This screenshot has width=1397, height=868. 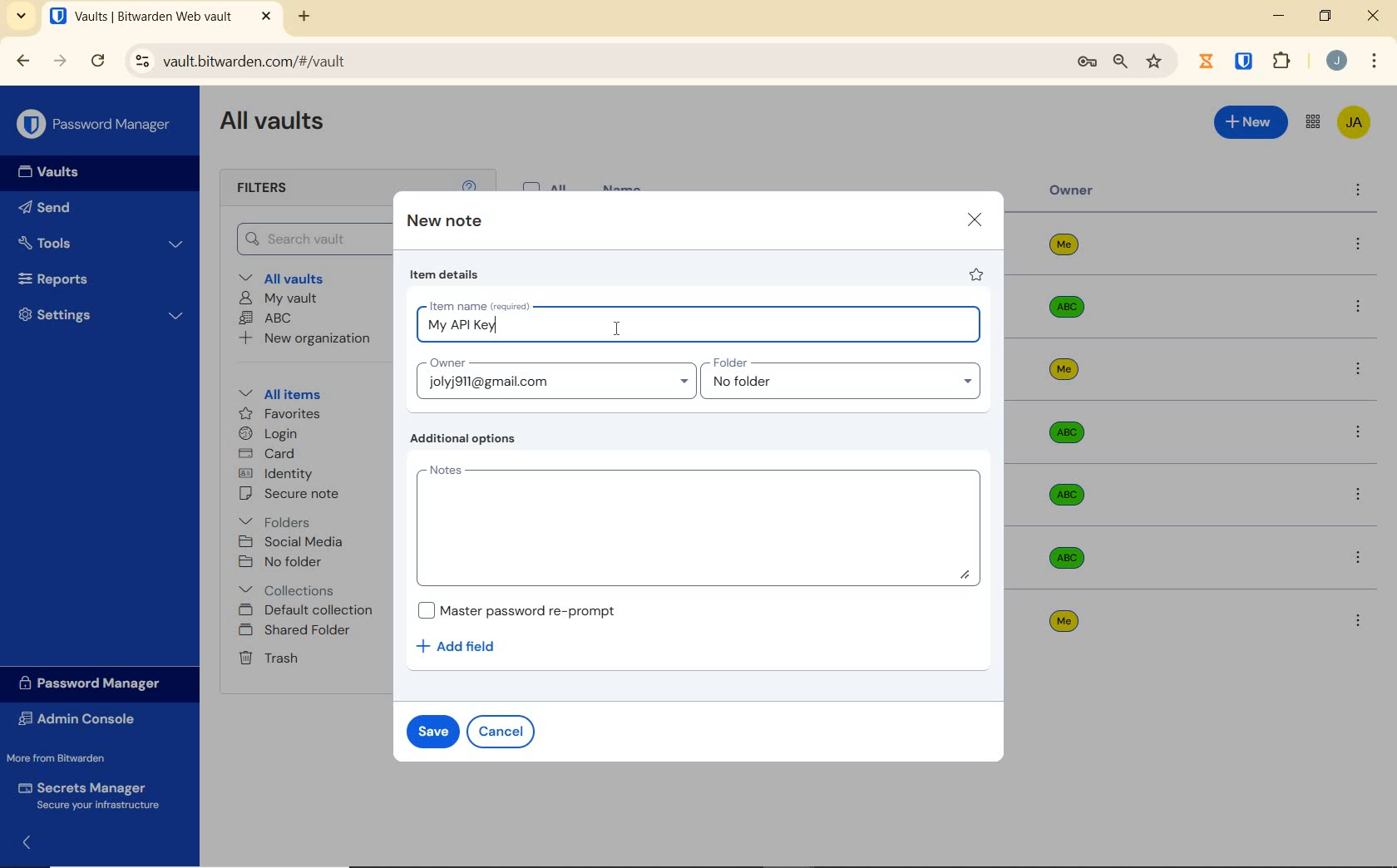 What do you see at coordinates (553, 377) in the screenshot?
I see `Input Owner` at bounding box center [553, 377].